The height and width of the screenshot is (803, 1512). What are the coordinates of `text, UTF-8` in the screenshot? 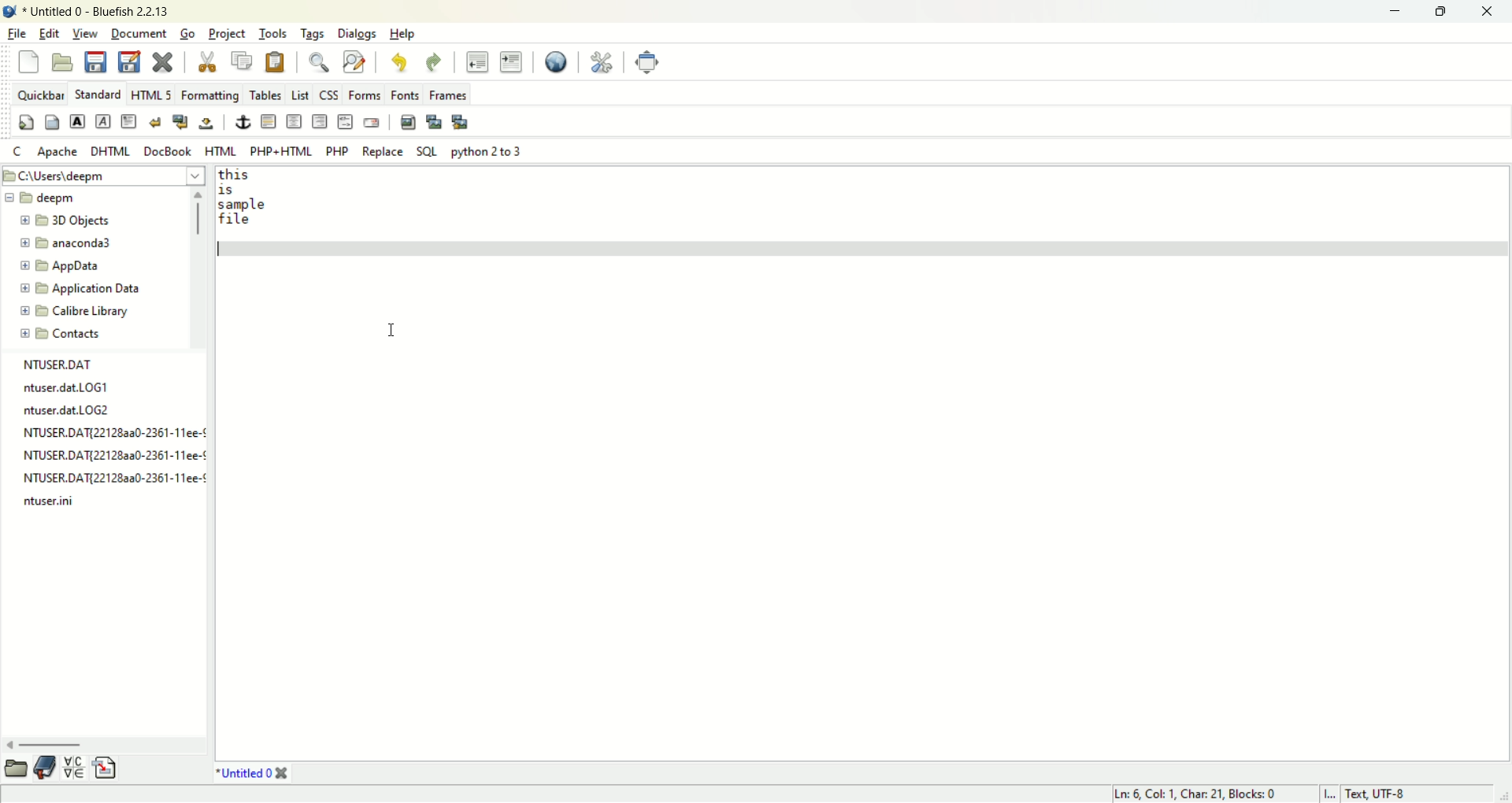 It's located at (1386, 794).